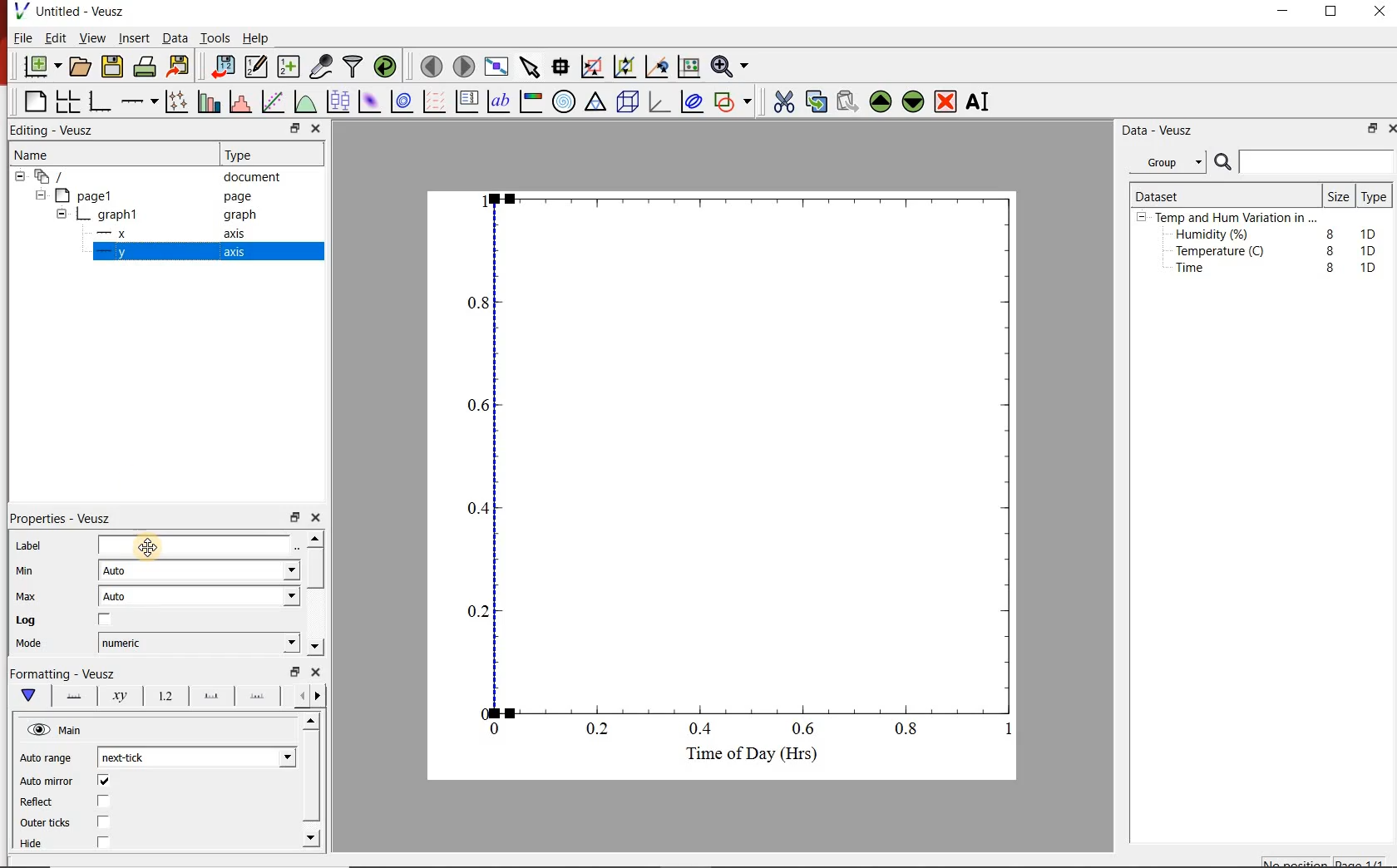  I want to click on select items from the graph or scroll, so click(531, 69).